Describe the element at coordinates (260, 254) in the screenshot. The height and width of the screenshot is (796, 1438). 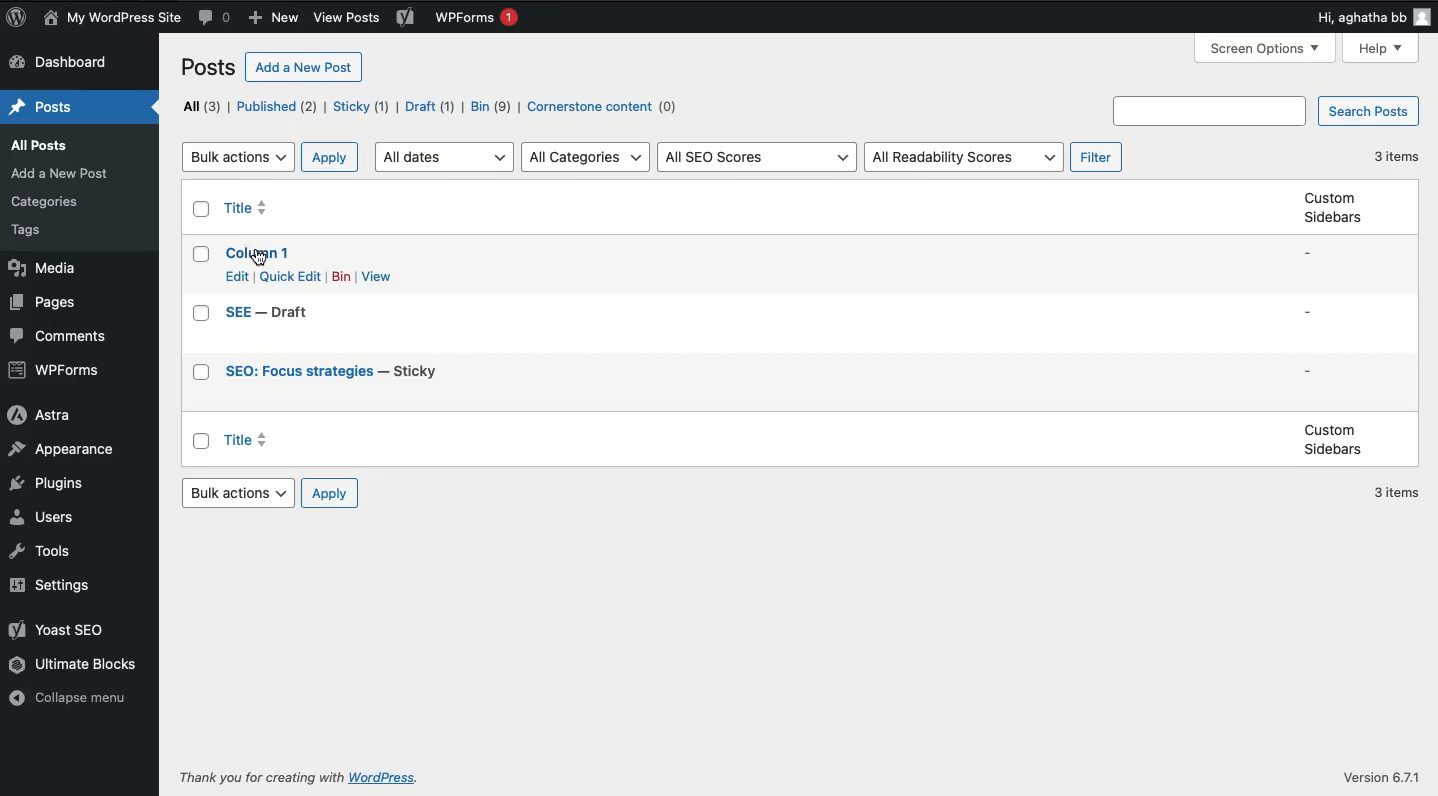
I see `Title` at that location.